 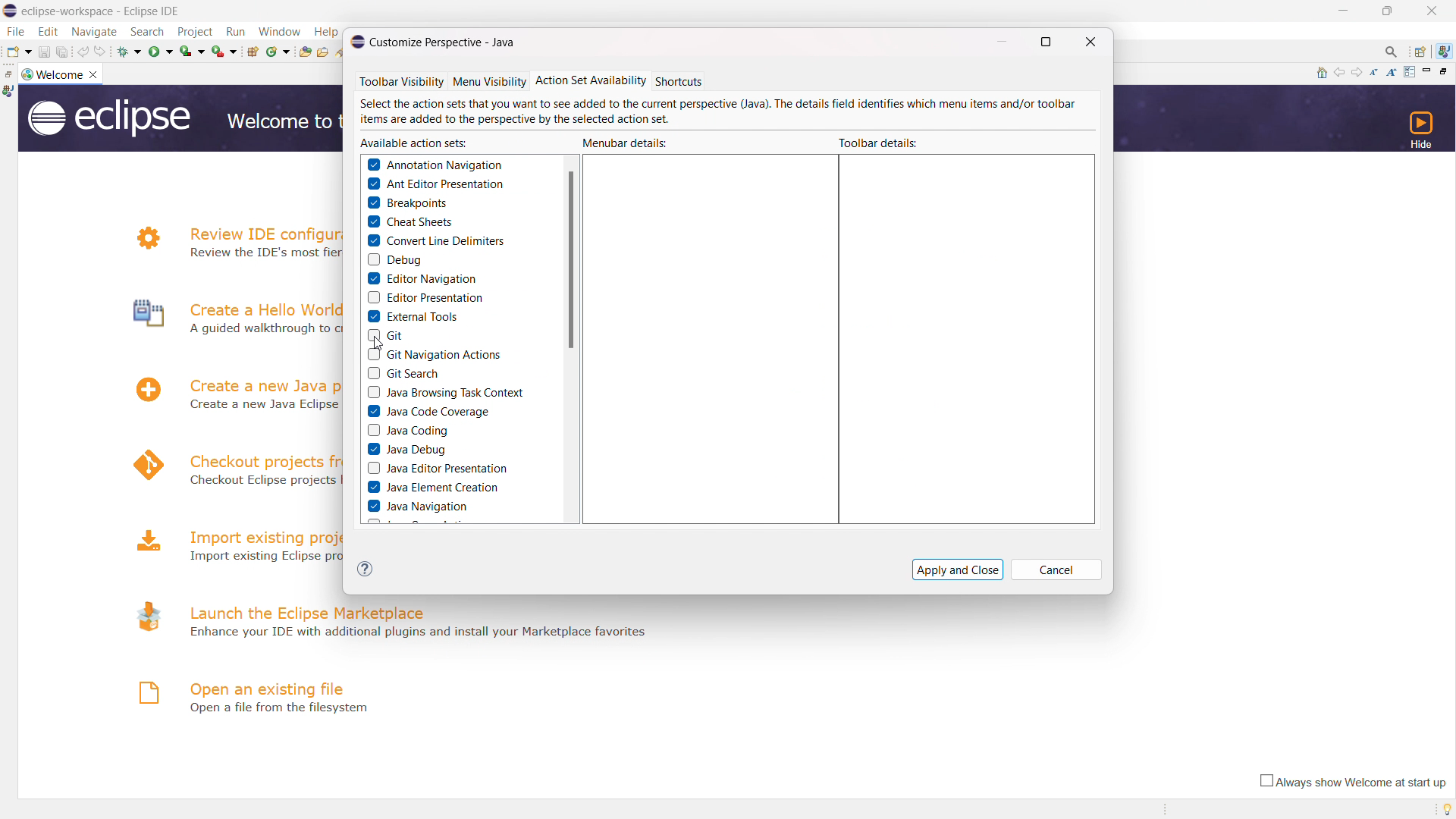 What do you see at coordinates (416, 506) in the screenshot?
I see `java navigation` at bounding box center [416, 506].